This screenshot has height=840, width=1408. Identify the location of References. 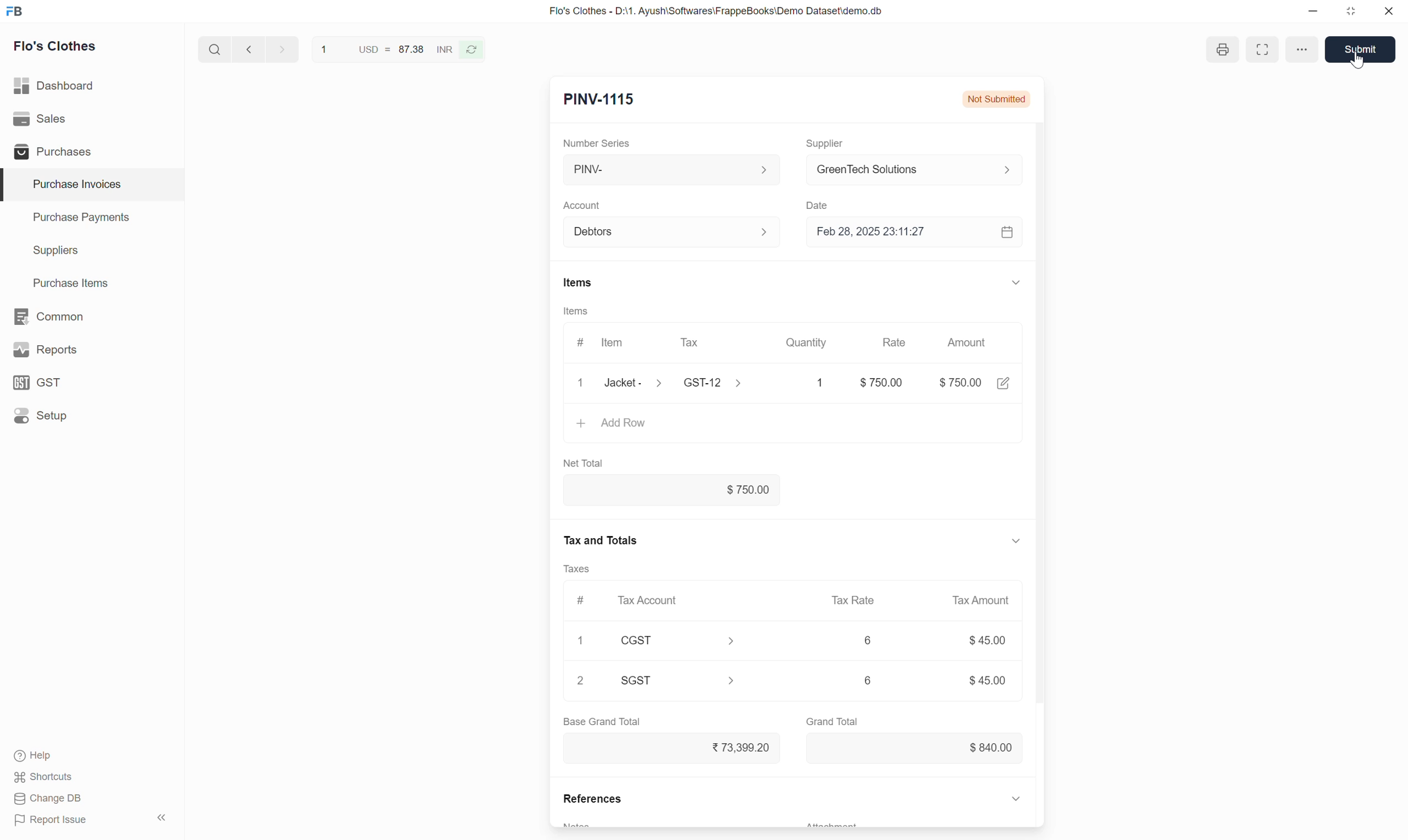
(592, 798).